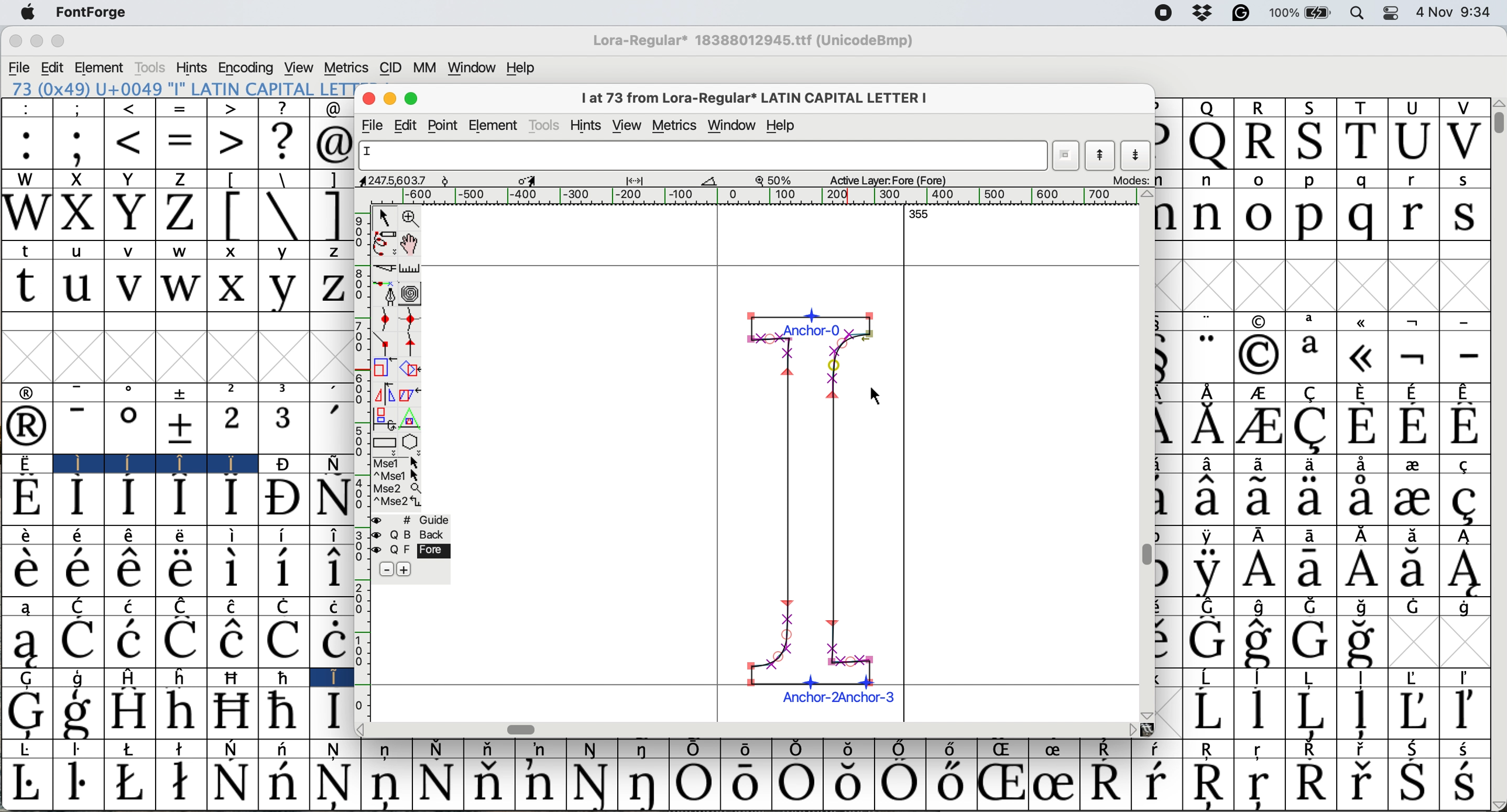 Image resolution: width=1507 pixels, height=812 pixels. Describe the element at coordinates (178, 179) in the screenshot. I see `Z` at that location.